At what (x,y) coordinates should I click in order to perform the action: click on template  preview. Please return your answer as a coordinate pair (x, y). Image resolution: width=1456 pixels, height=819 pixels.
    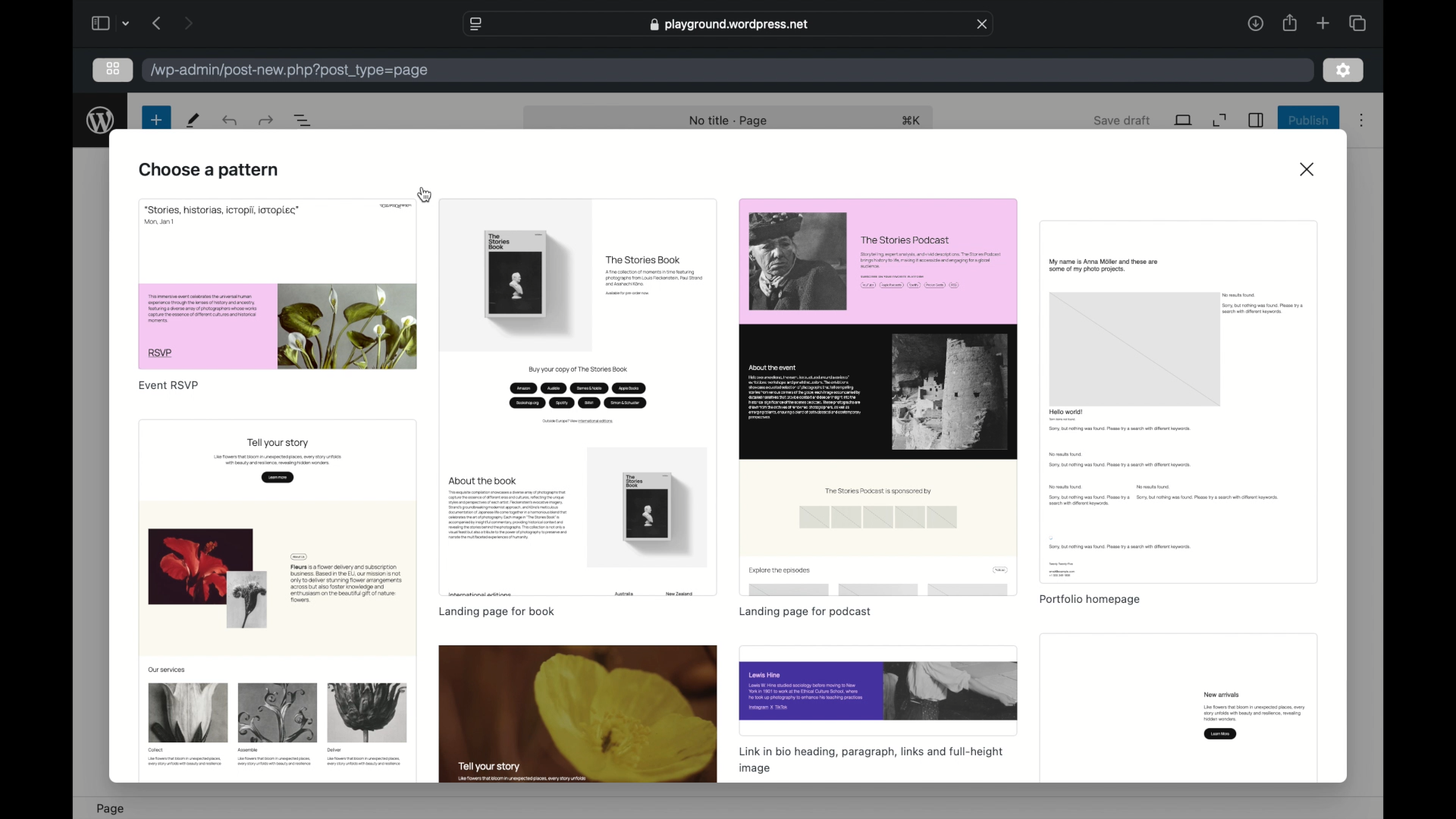
    Looking at the image, I should click on (577, 714).